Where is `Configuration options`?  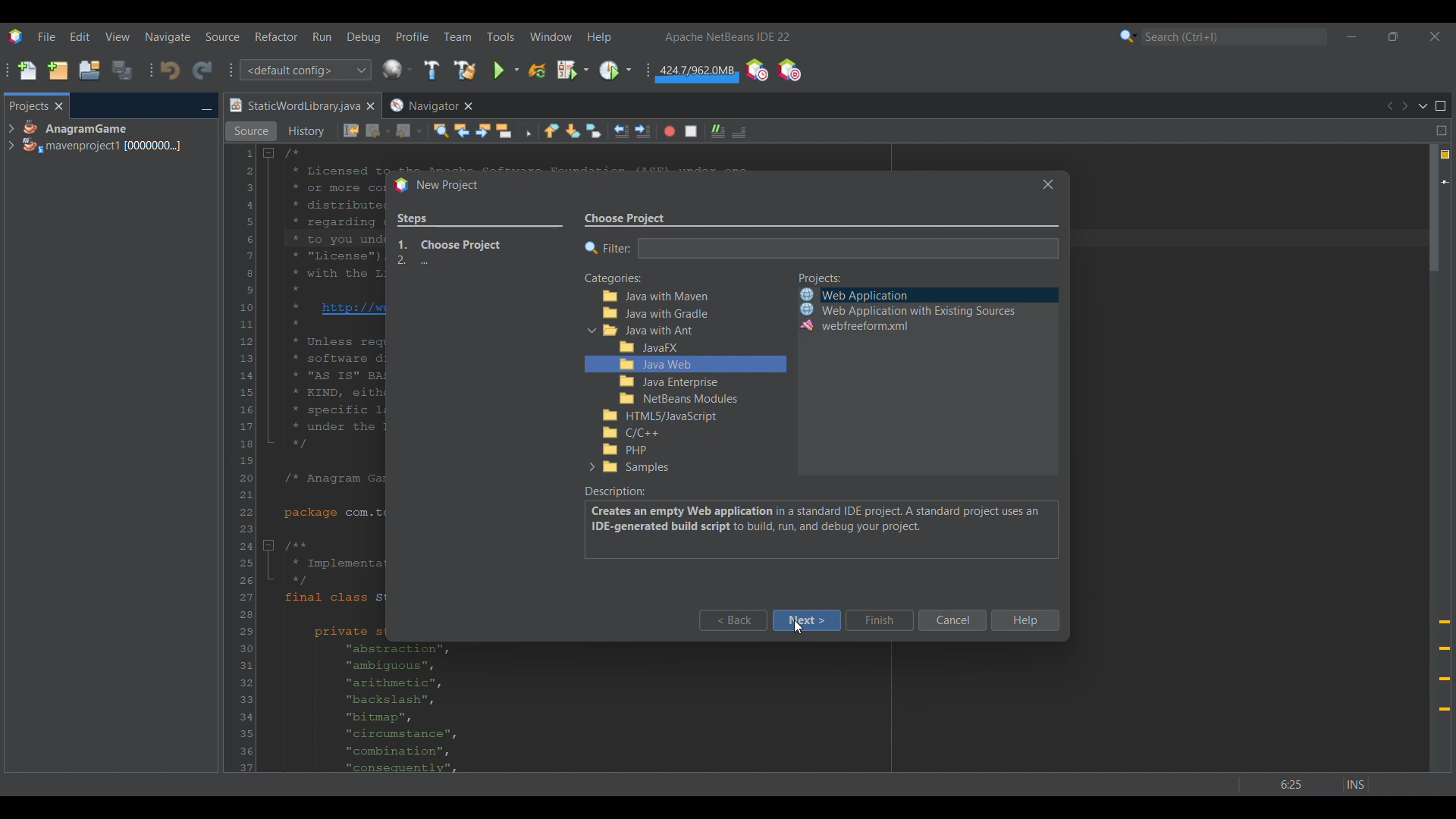 Configuration options is located at coordinates (305, 70).